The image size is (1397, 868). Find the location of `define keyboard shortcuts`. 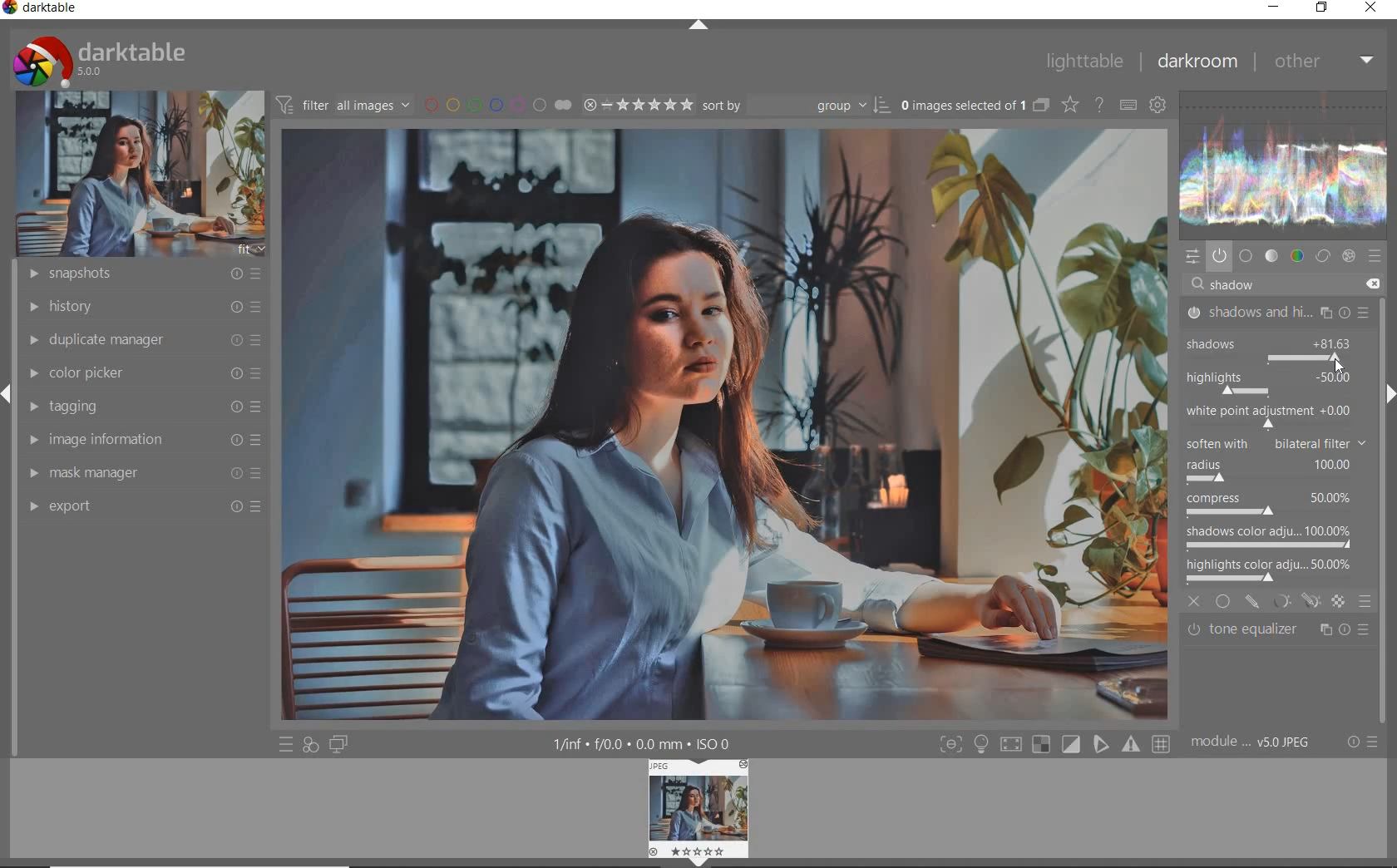

define keyboard shortcuts is located at coordinates (1128, 106).